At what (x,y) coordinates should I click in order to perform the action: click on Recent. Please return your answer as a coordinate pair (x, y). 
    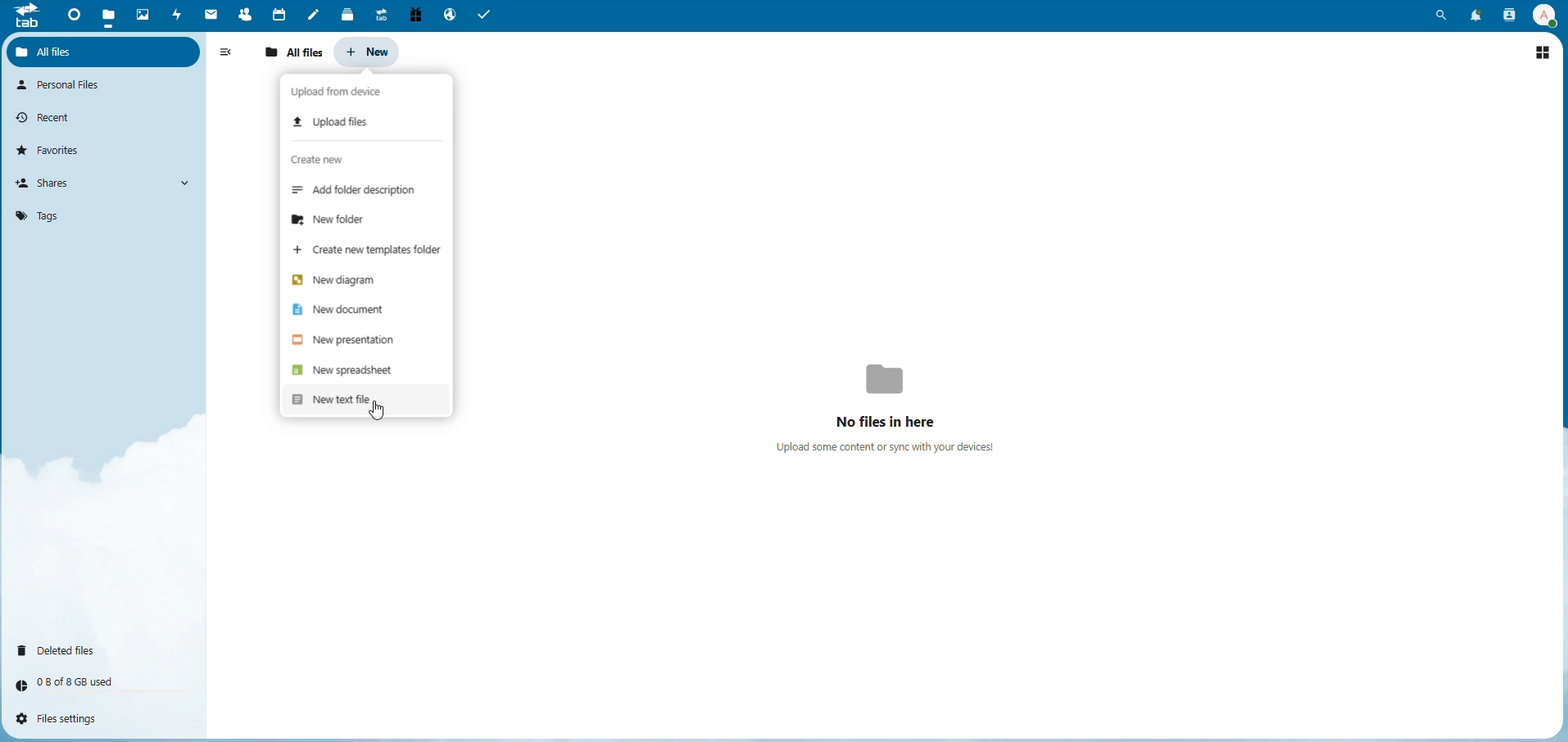
    Looking at the image, I should click on (50, 116).